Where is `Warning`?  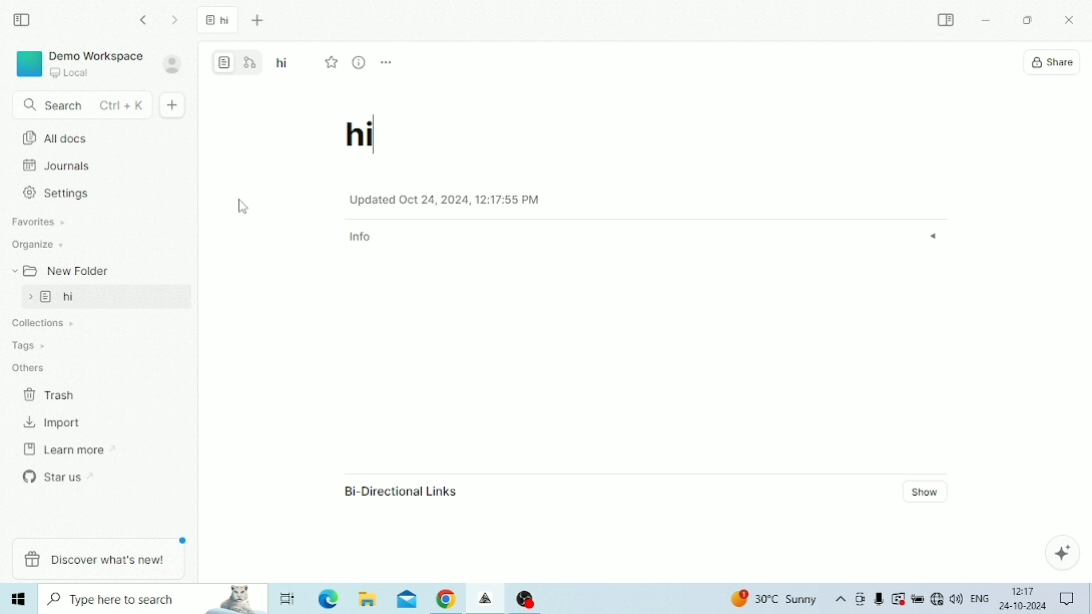
Warning is located at coordinates (898, 598).